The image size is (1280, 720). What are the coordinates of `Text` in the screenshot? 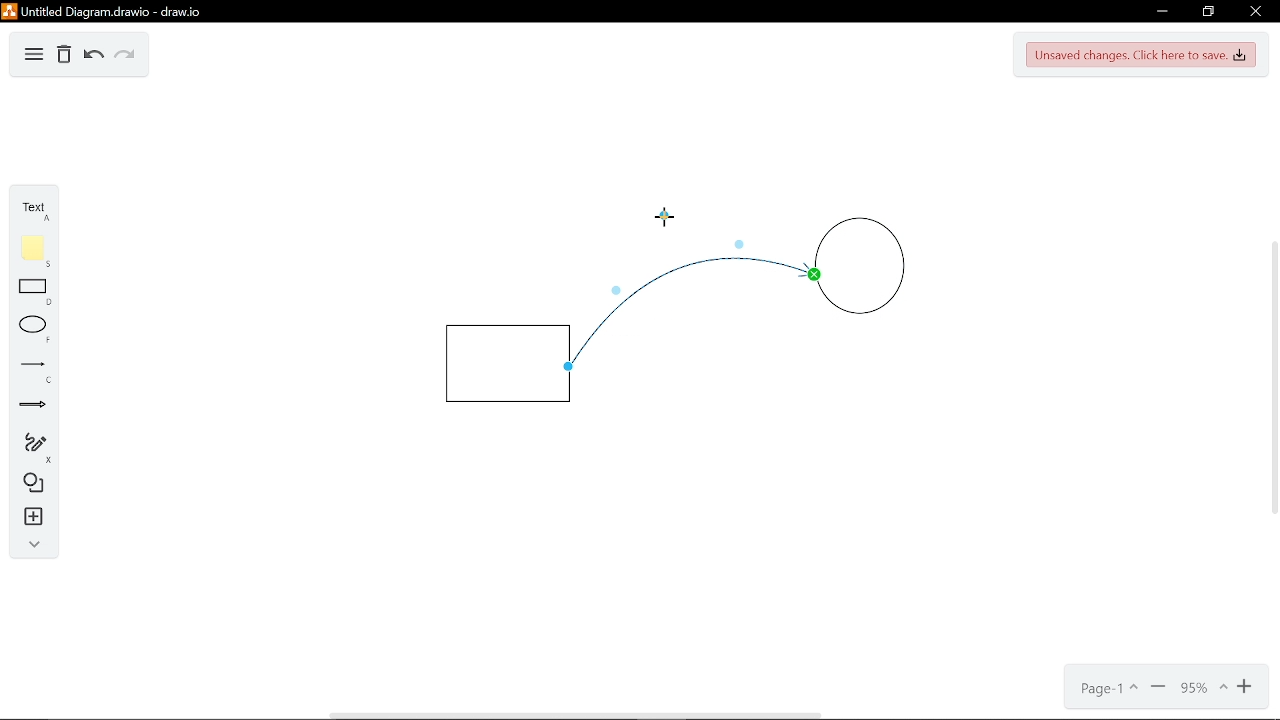 It's located at (35, 210).